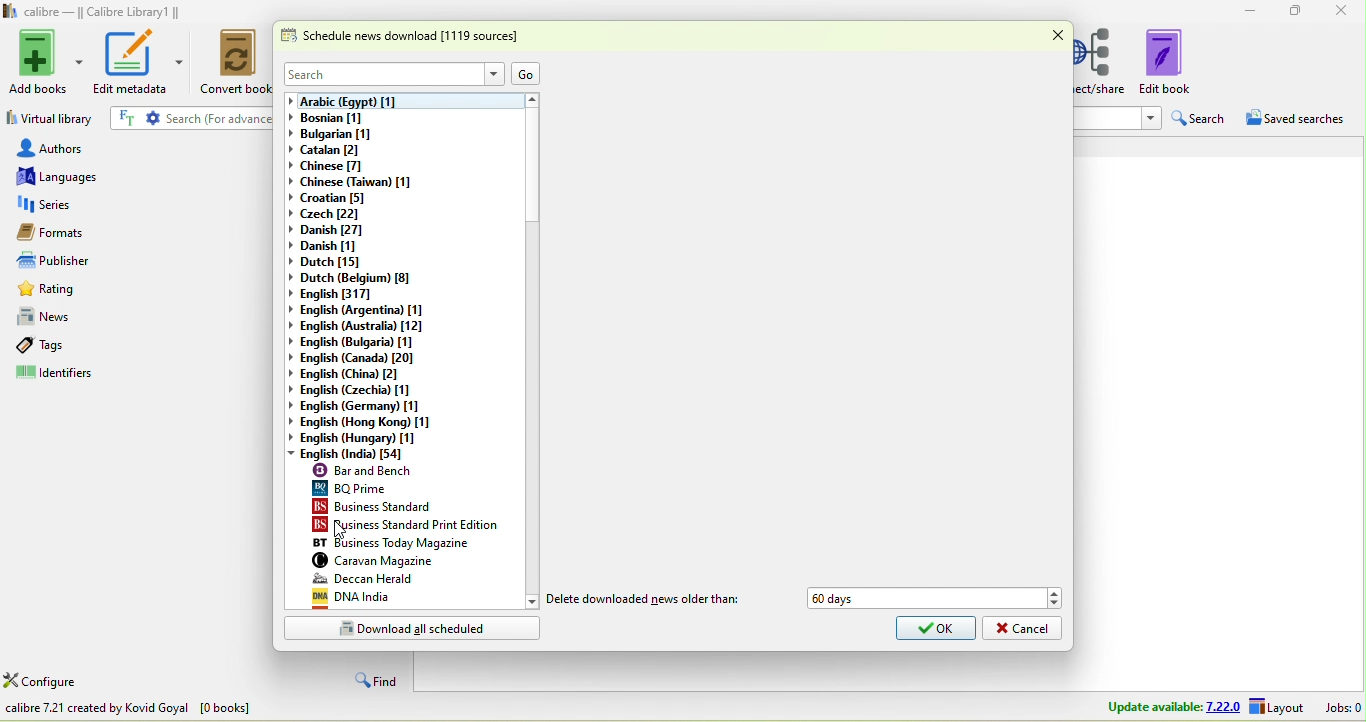 Image resolution: width=1366 pixels, height=722 pixels. What do you see at coordinates (51, 117) in the screenshot?
I see `virtual library` at bounding box center [51, 117].